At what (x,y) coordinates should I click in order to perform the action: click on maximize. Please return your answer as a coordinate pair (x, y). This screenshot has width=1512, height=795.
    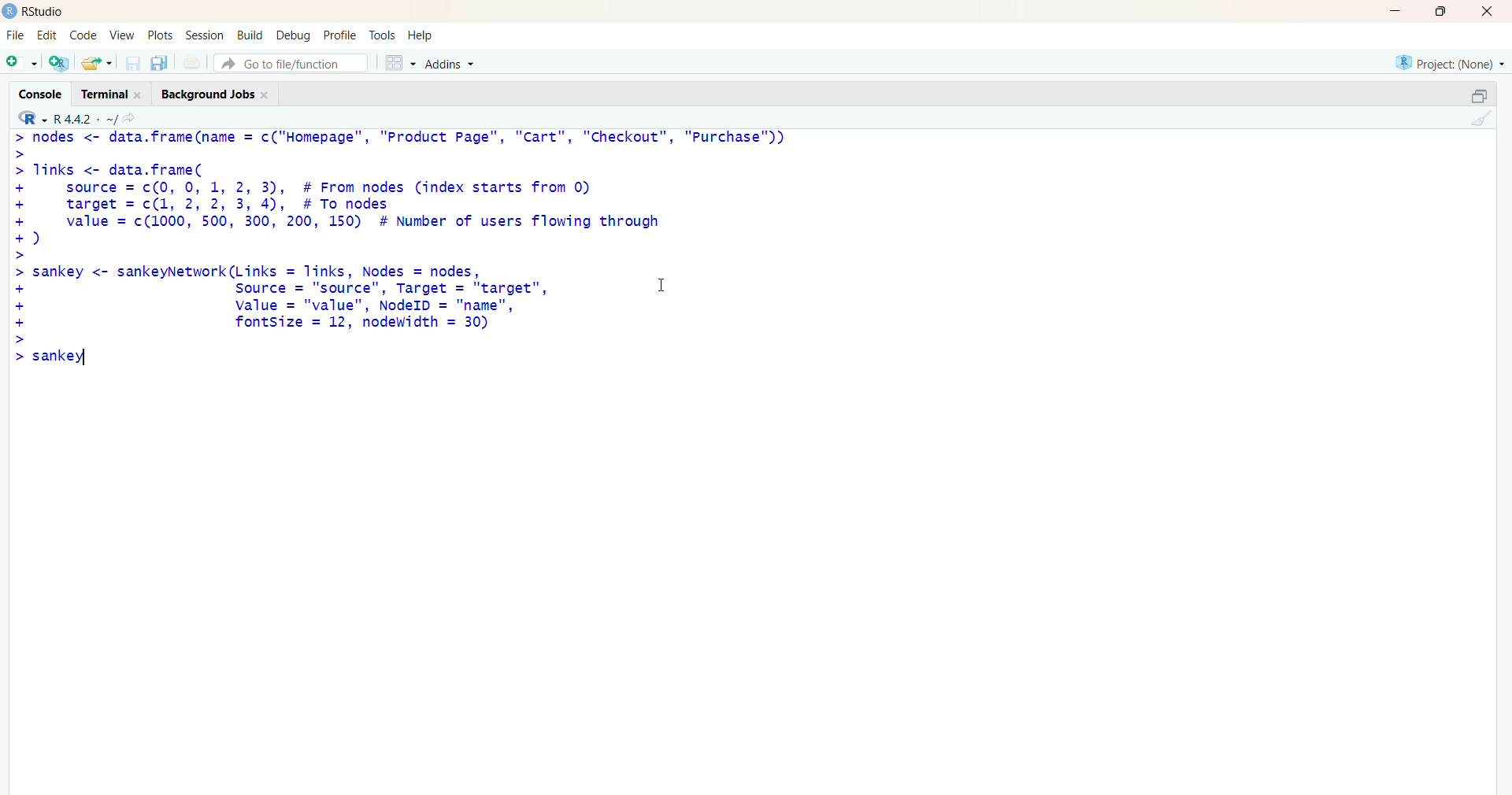
    Looking at the image, I should click on (1439, 12).